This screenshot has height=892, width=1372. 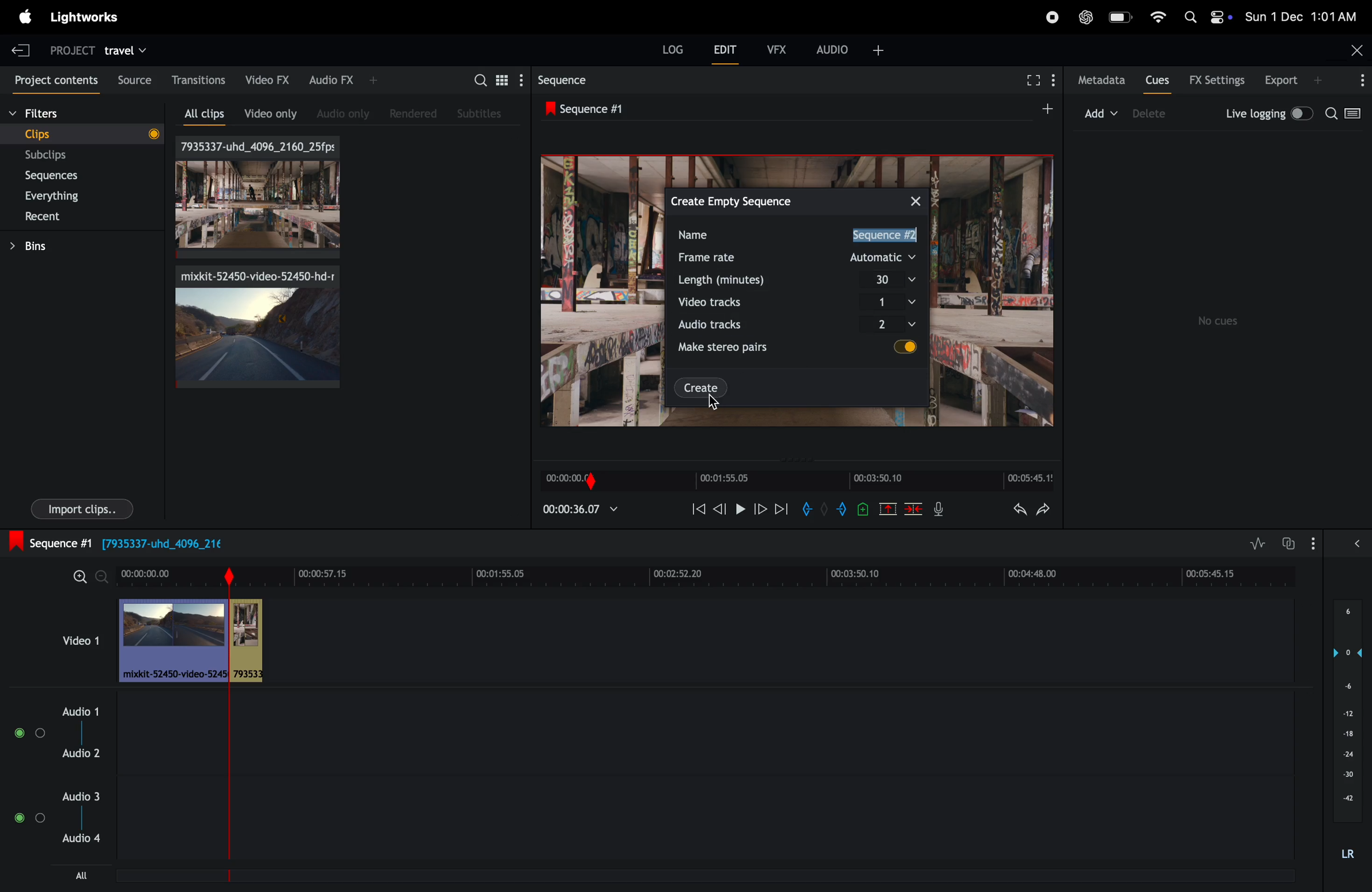 What do you see at coordinates (208, 114) in the screenshot?
I see `all clips` at bounding box center [208, 114].